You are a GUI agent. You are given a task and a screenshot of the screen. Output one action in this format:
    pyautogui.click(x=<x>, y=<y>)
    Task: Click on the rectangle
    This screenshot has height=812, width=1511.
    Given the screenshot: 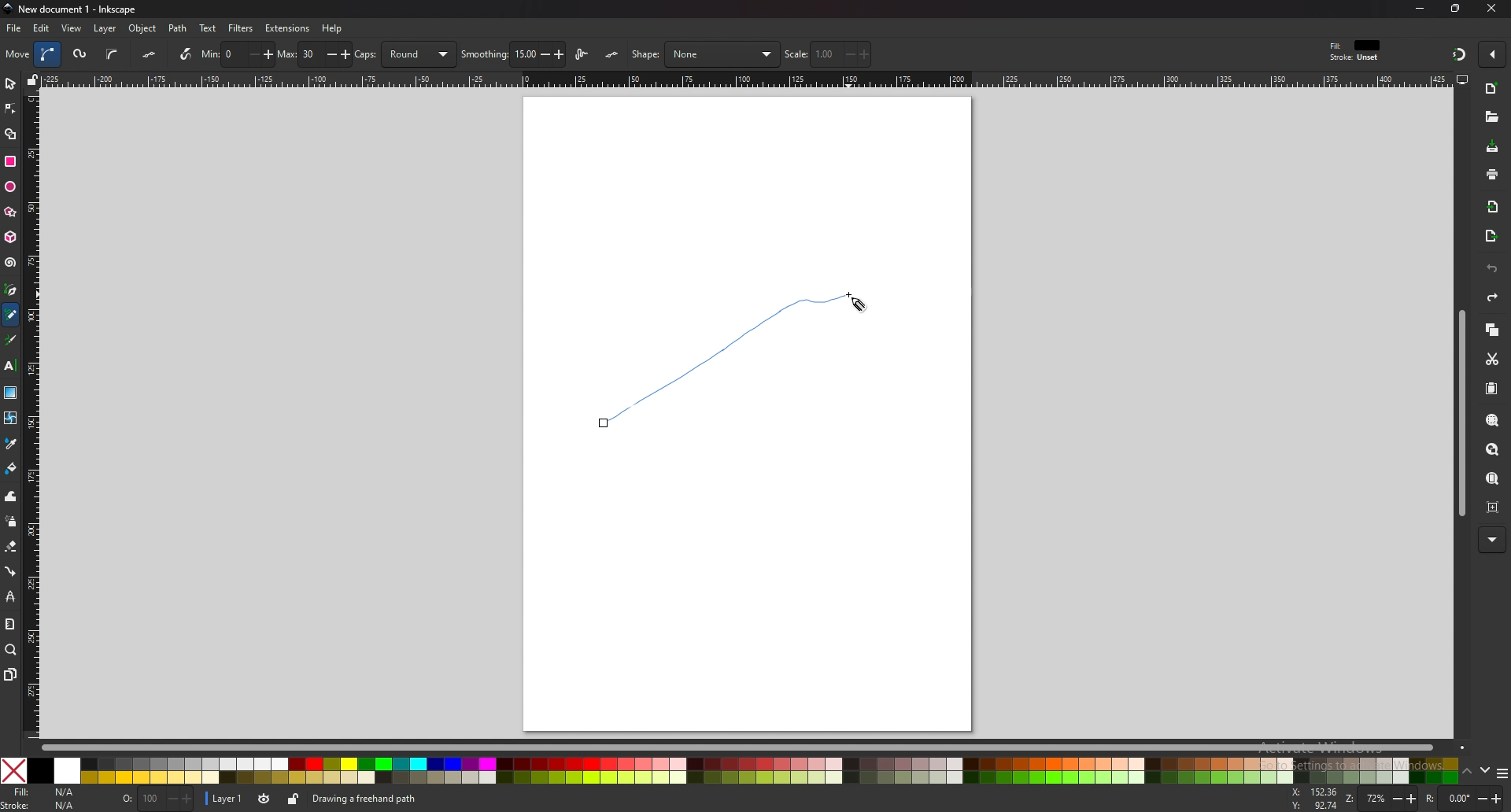 What is the action you would take?
    pyautogui.click(x=10, y=161)
    